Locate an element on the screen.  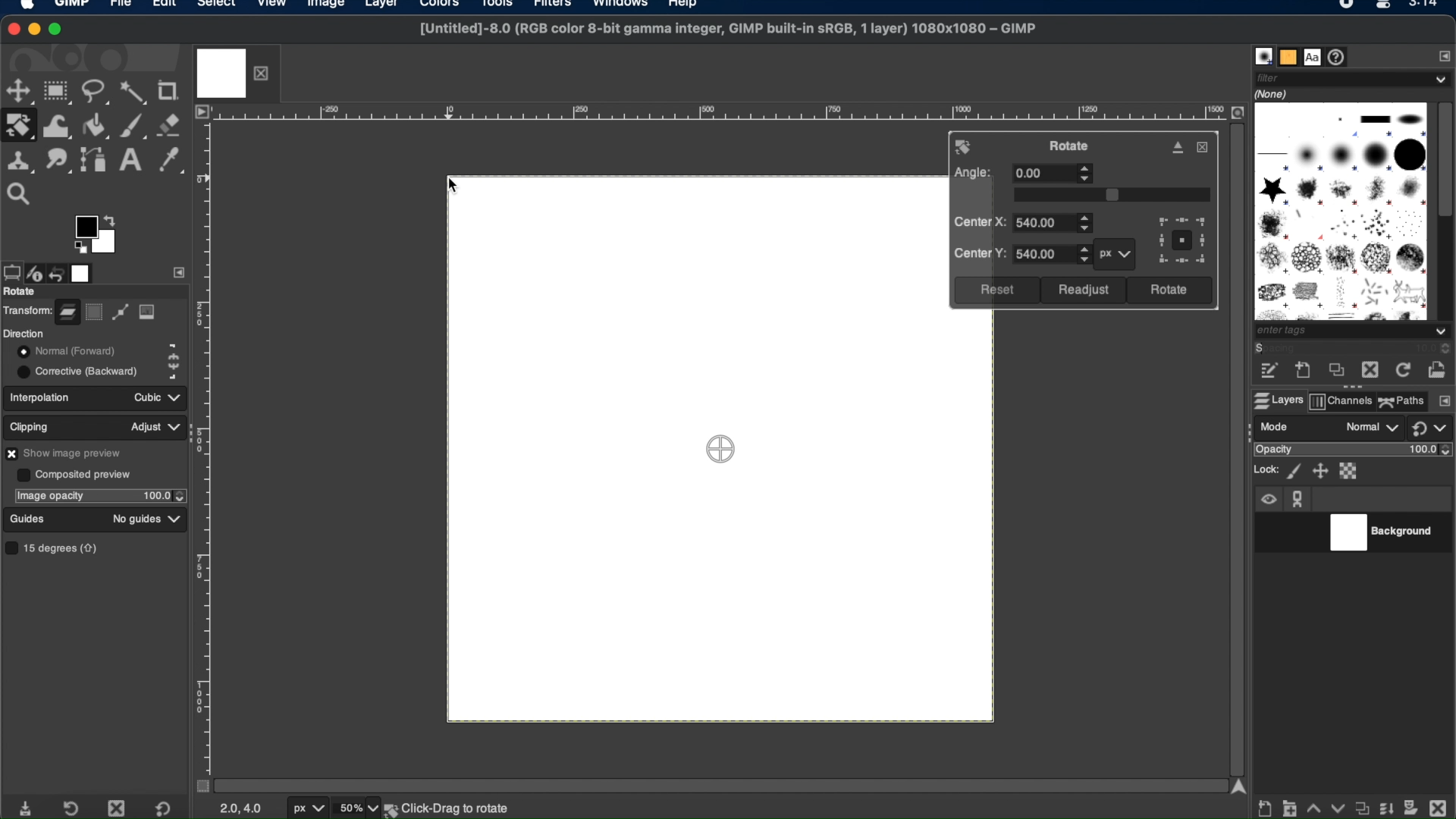
lock pixels is located at coordinates (1293, 471).